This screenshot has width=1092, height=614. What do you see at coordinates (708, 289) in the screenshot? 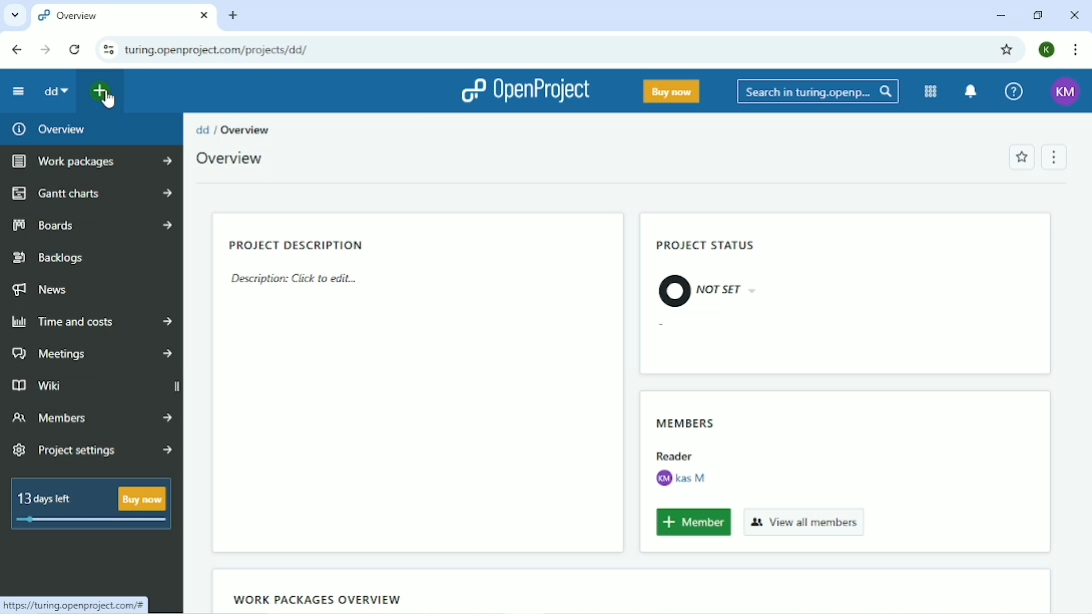
I see `Not Set` at bounding box center [708, 289].